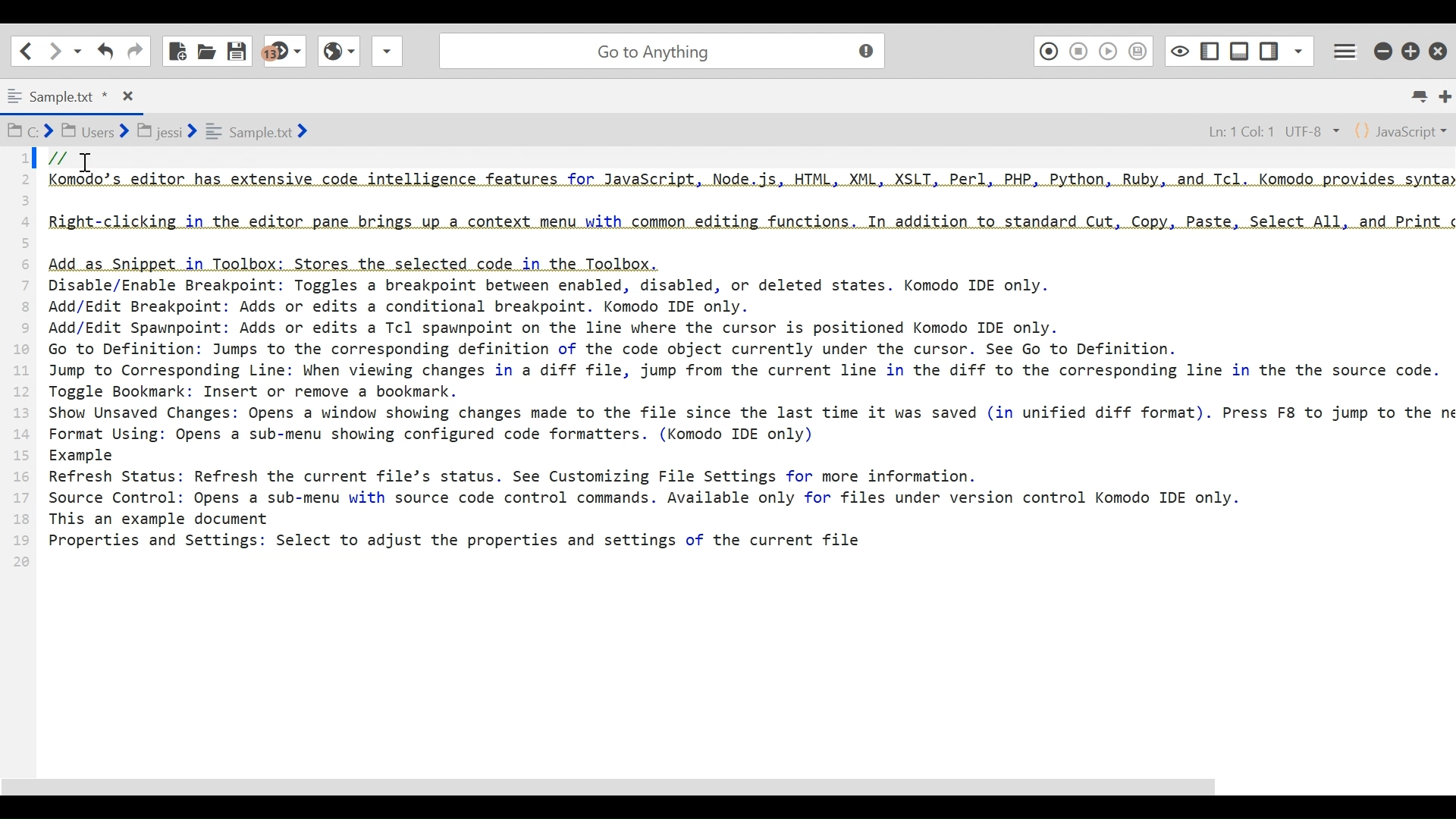 This screenshot has height=819, width=1456. What do you see at coordinates (1079, 51) in the screenshot?
I see `Stop Recording Macro` at bounding box center [1079, 51].